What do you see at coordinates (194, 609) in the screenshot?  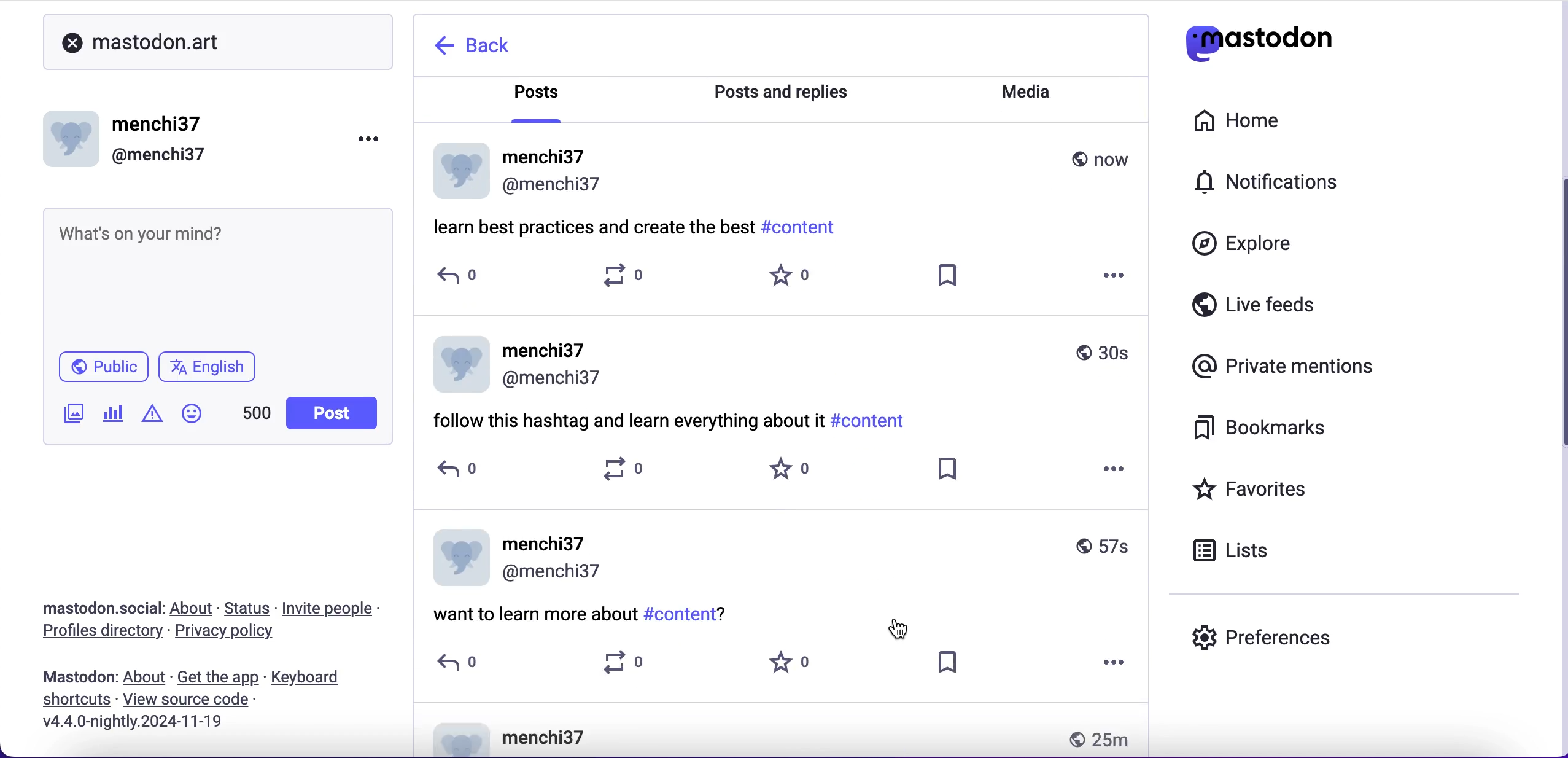 I see `about` at bounding box center [194, 609].